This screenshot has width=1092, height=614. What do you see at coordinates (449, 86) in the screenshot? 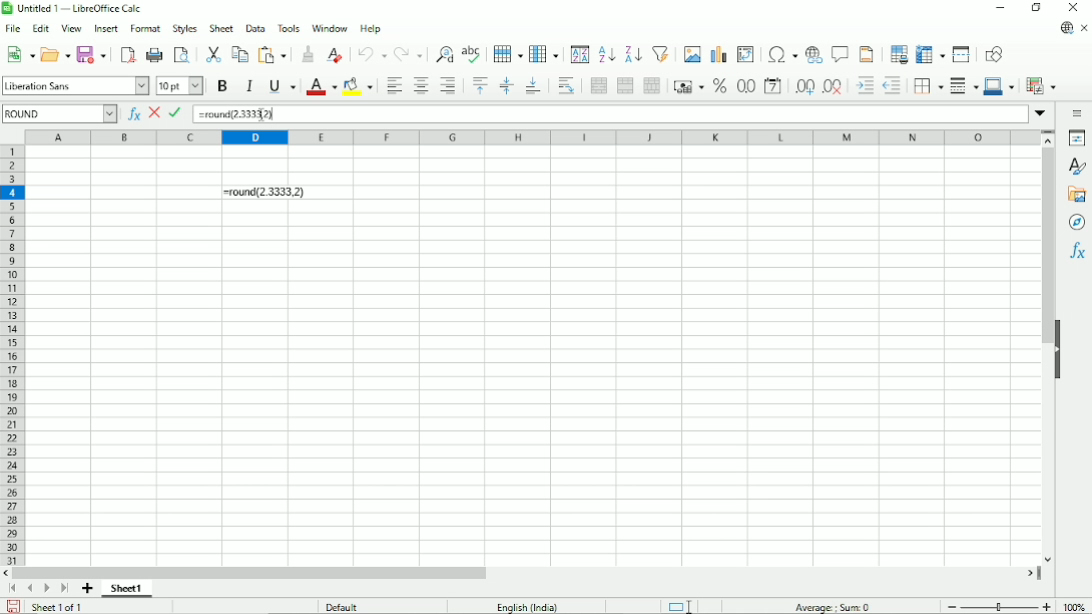
I see `Align right` at bounding box center [449, 86].